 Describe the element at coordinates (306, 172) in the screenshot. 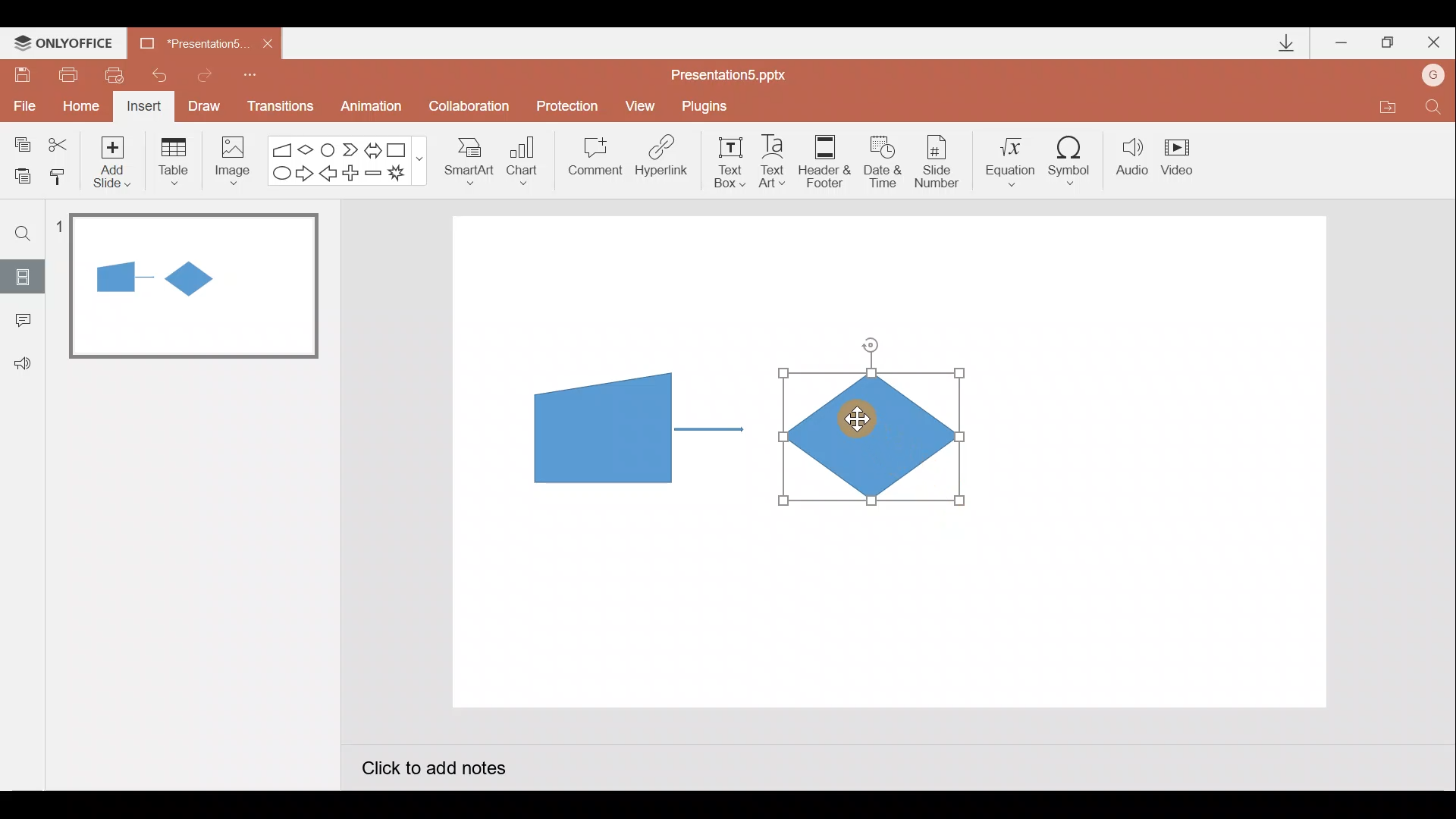

I see `Right arrow` at that location.